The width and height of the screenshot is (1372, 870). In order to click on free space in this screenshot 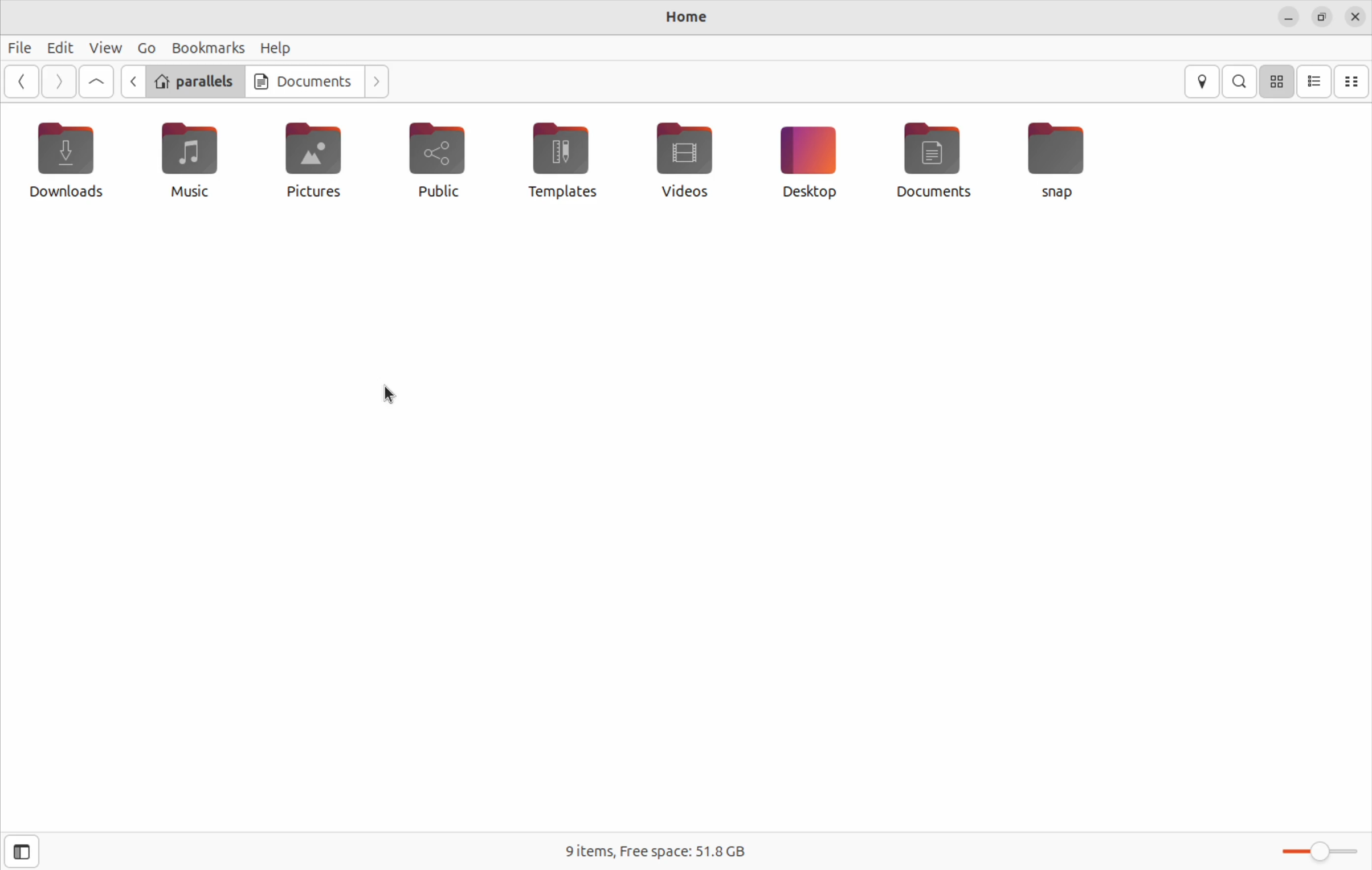, I will do `click(651, 851)`.